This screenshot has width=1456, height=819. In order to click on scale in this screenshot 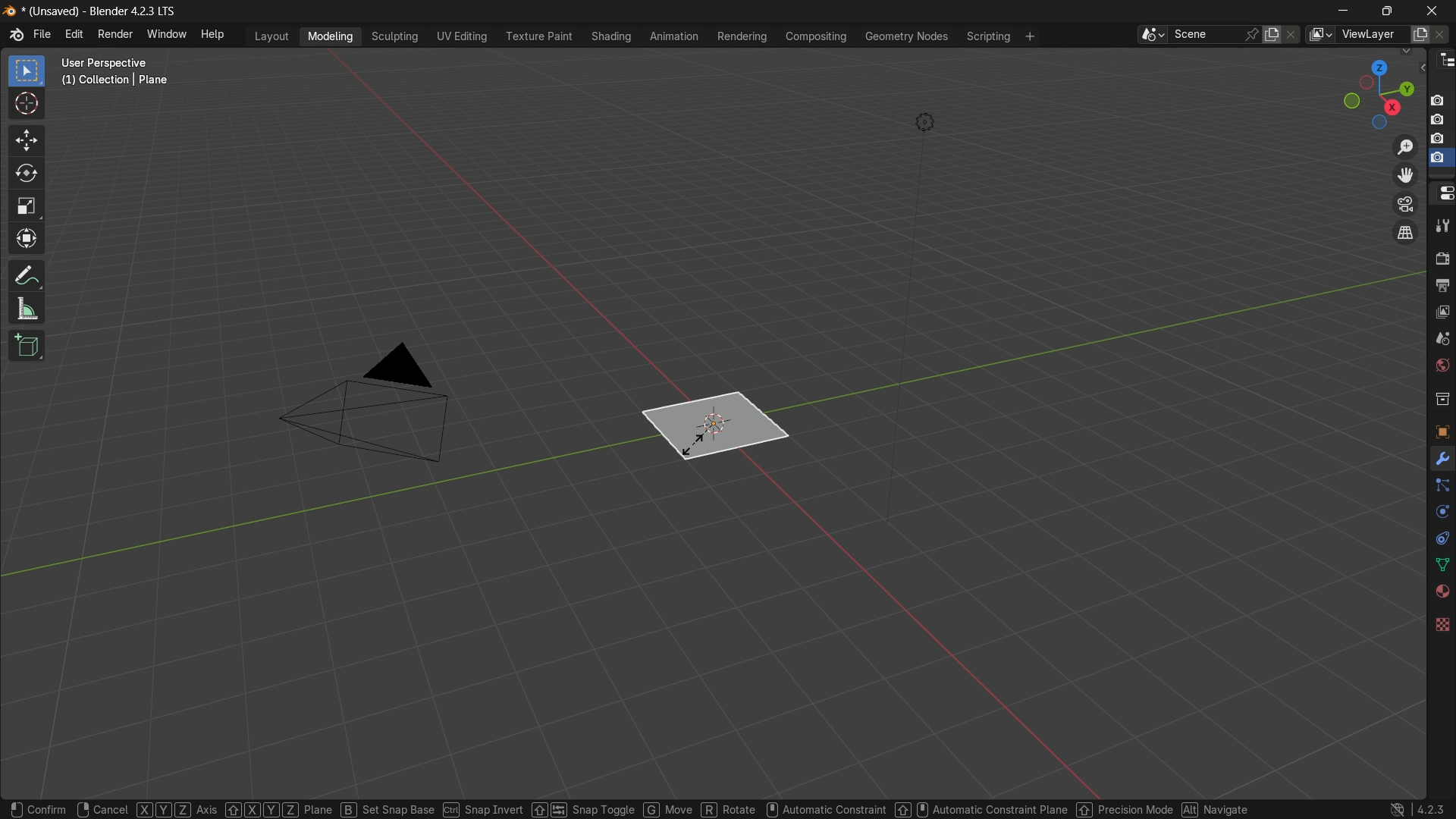, I will do `click(27, 209)`.